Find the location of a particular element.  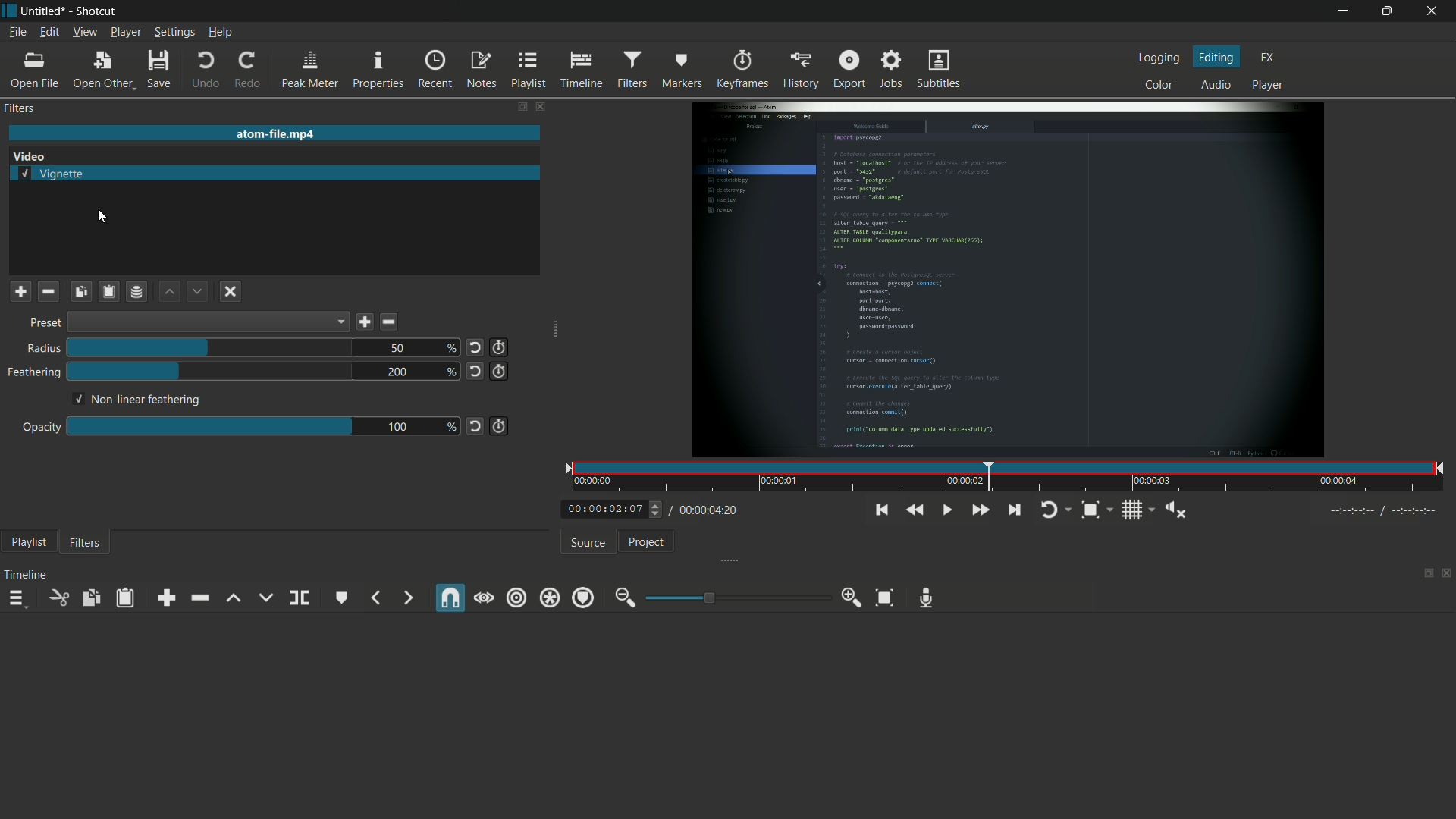

remove a filter is located at coordinates (50, 293).